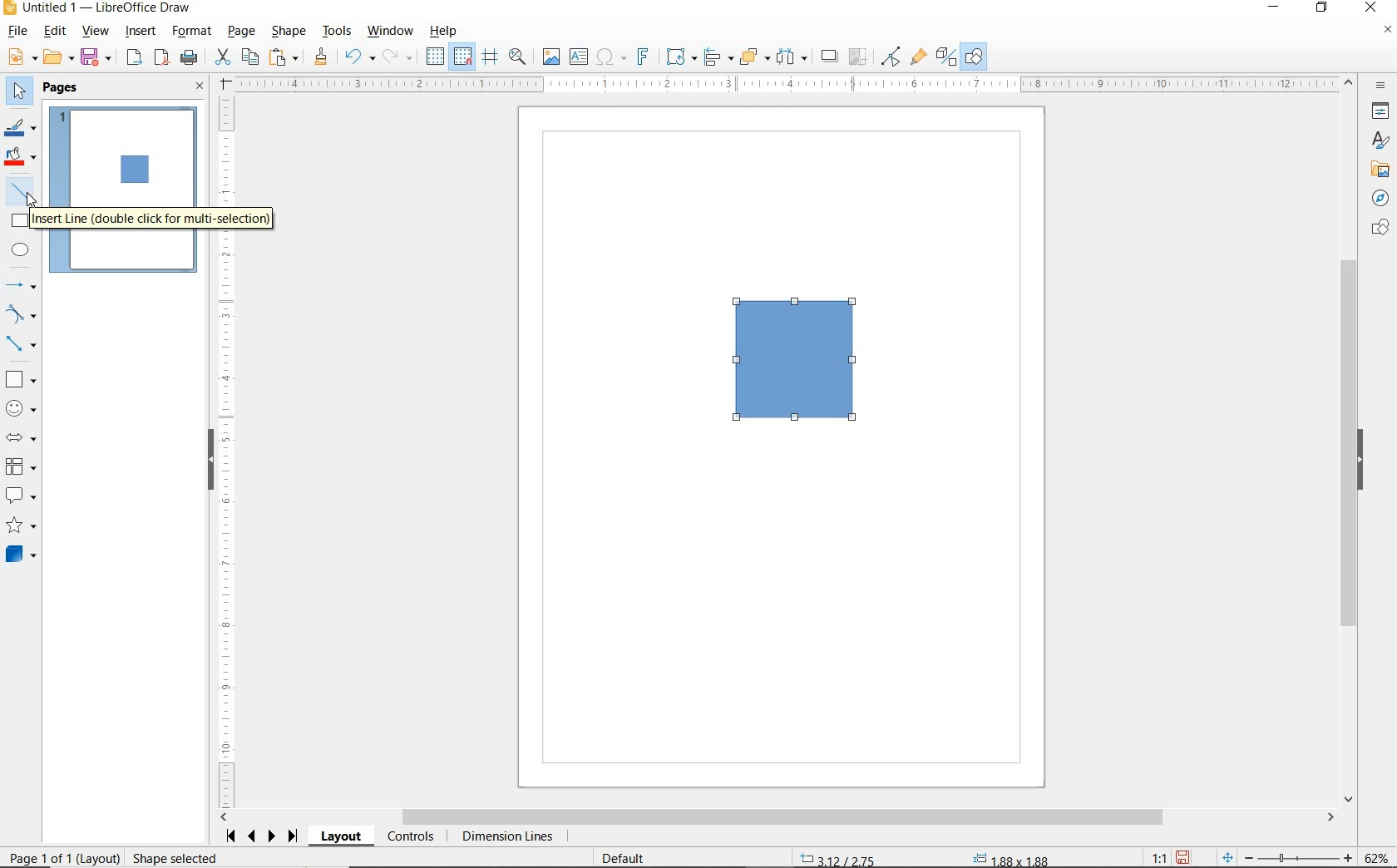 The height and width of the screenshot is (868, 1397). What do you see at coordinates (22, 249) in the screenshot?
I see `ELLIPSE` at bounding box center [22, 249].